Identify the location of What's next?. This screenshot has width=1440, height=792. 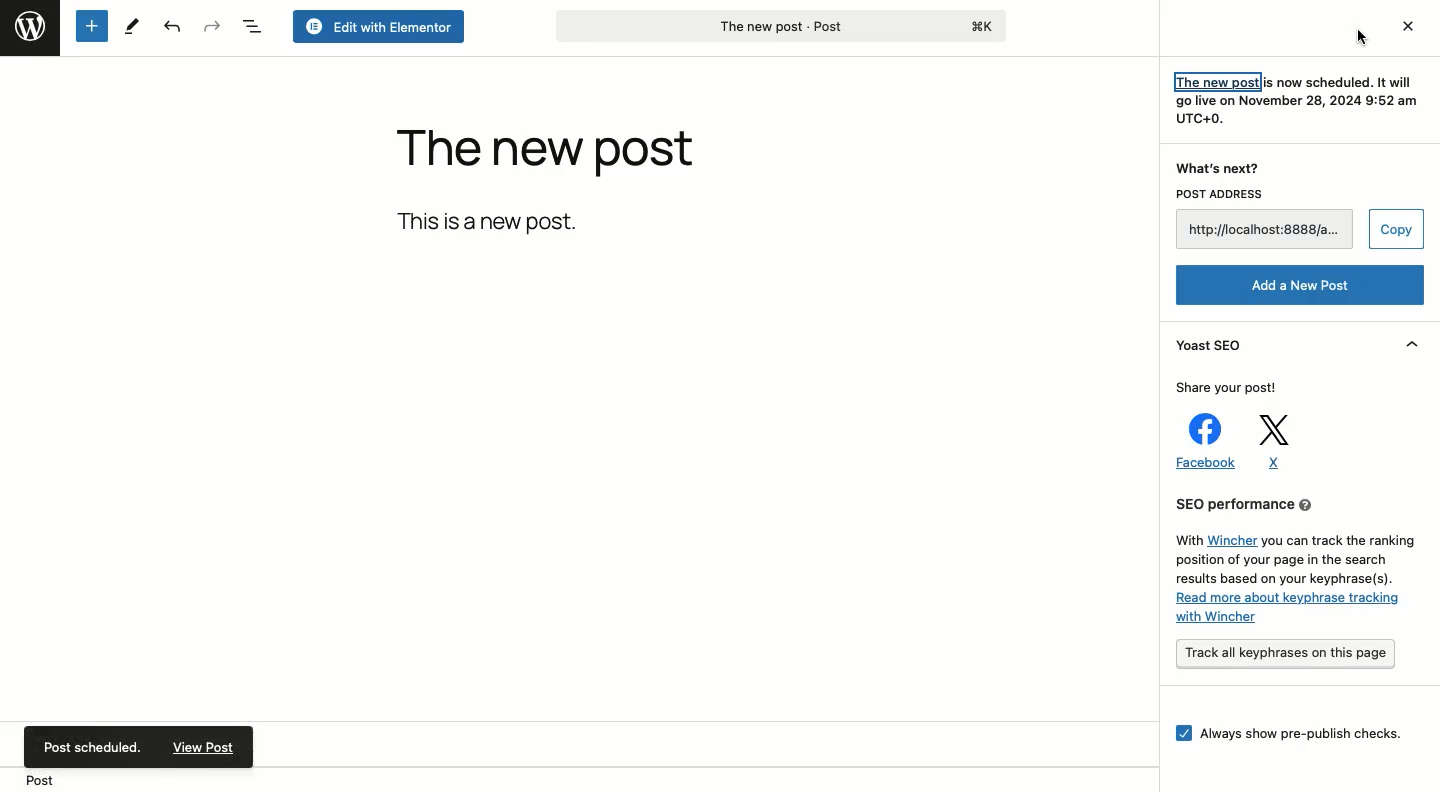
(1220, 168).